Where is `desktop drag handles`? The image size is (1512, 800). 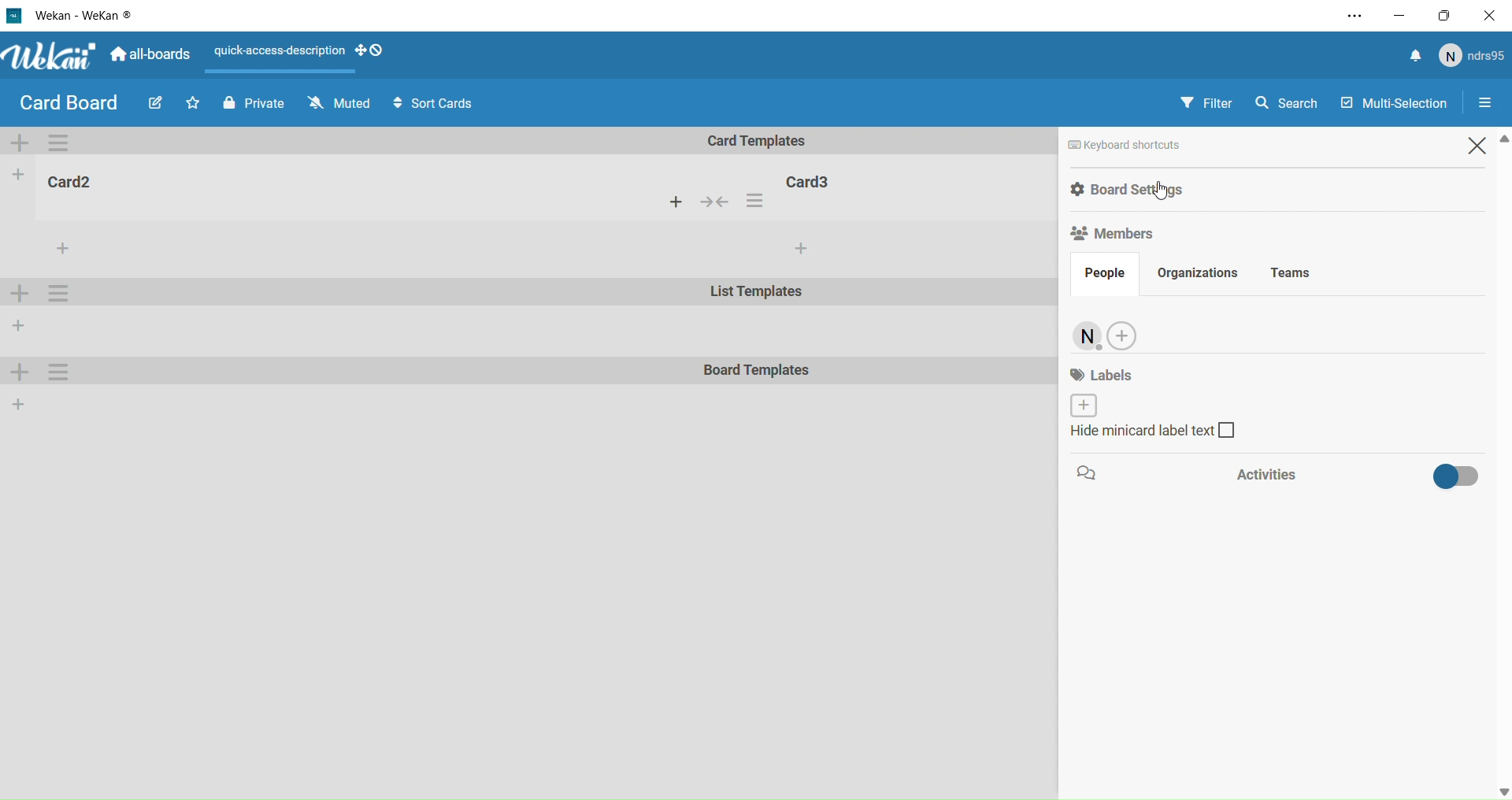 desktop drag handles is located at coordinates (373, 54).